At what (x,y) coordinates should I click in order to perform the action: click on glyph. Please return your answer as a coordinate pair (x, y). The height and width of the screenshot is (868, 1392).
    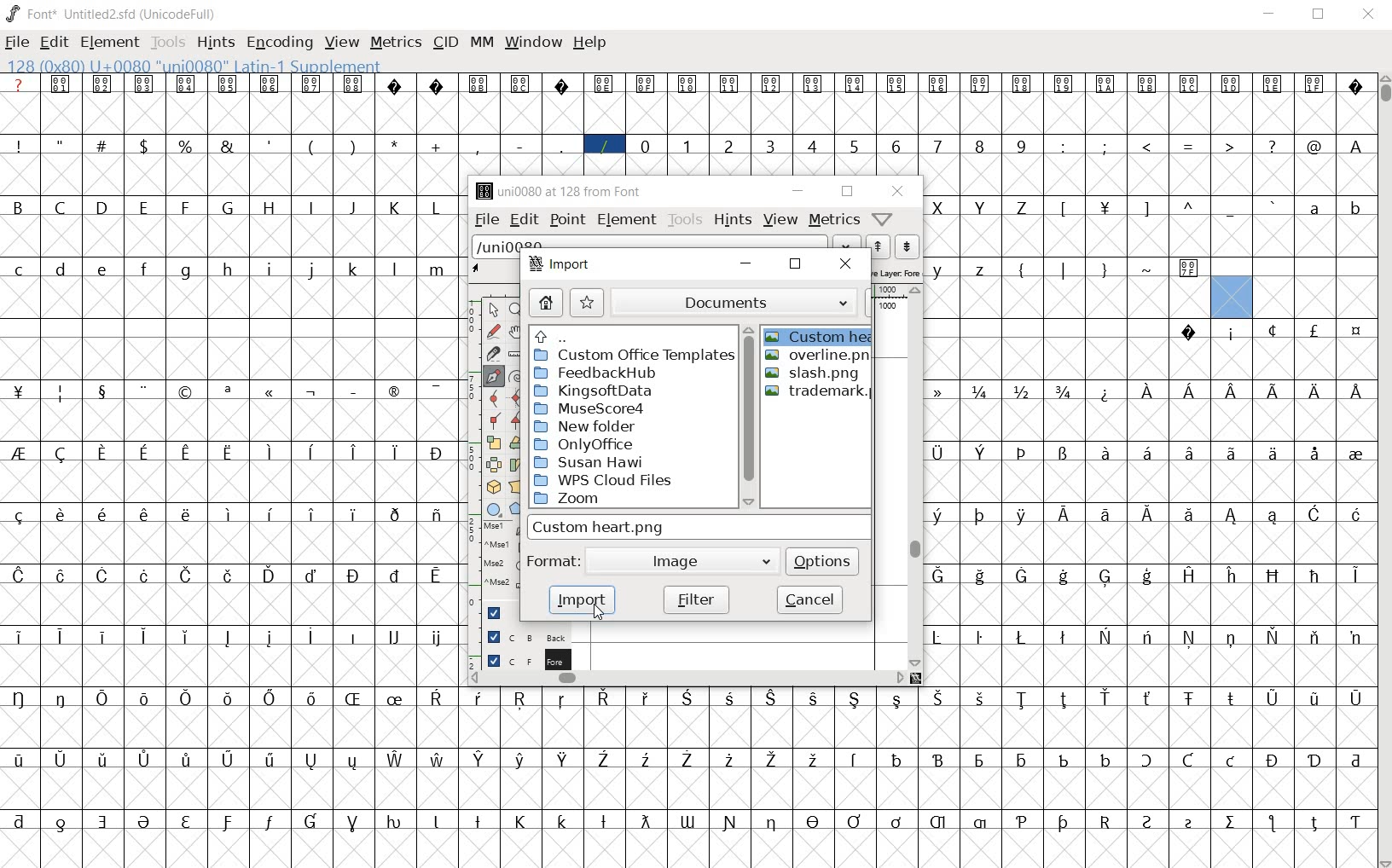
    Looking at the image, I should click on (1232, 517).